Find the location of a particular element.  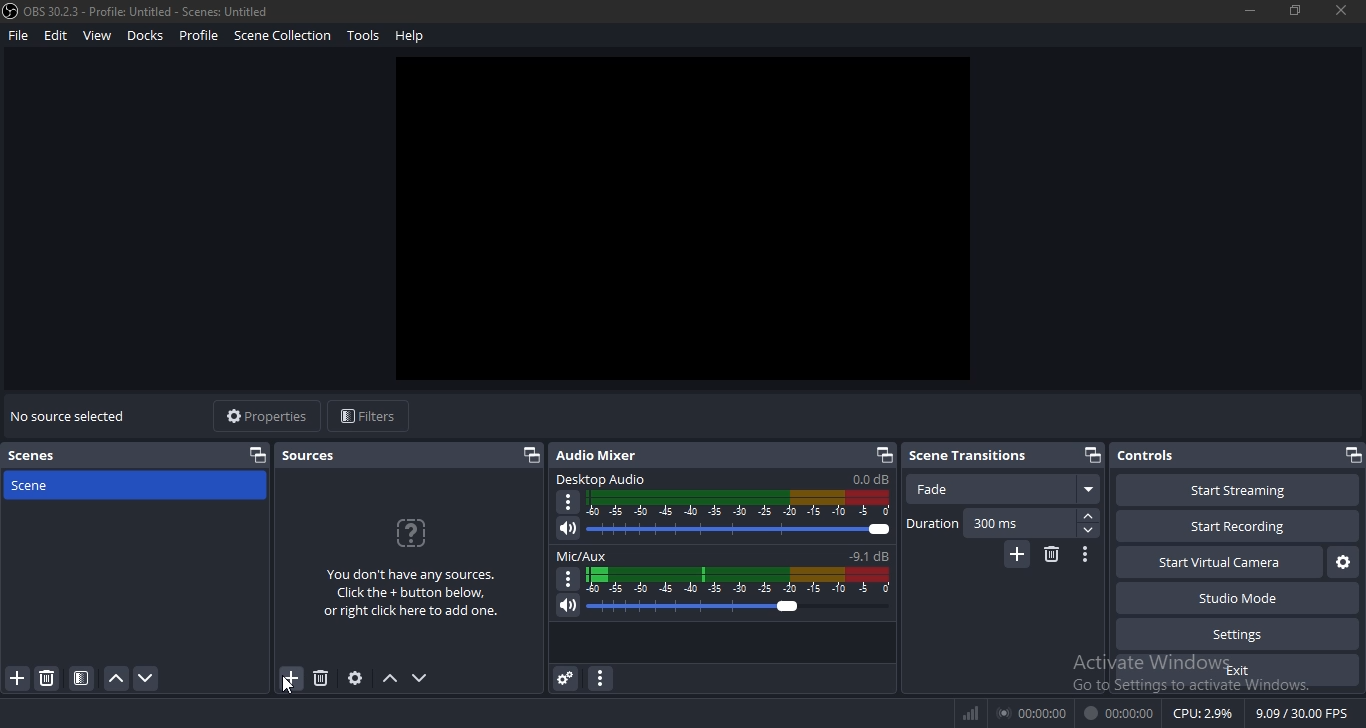

start recording is located at coordinates (1242, 525).